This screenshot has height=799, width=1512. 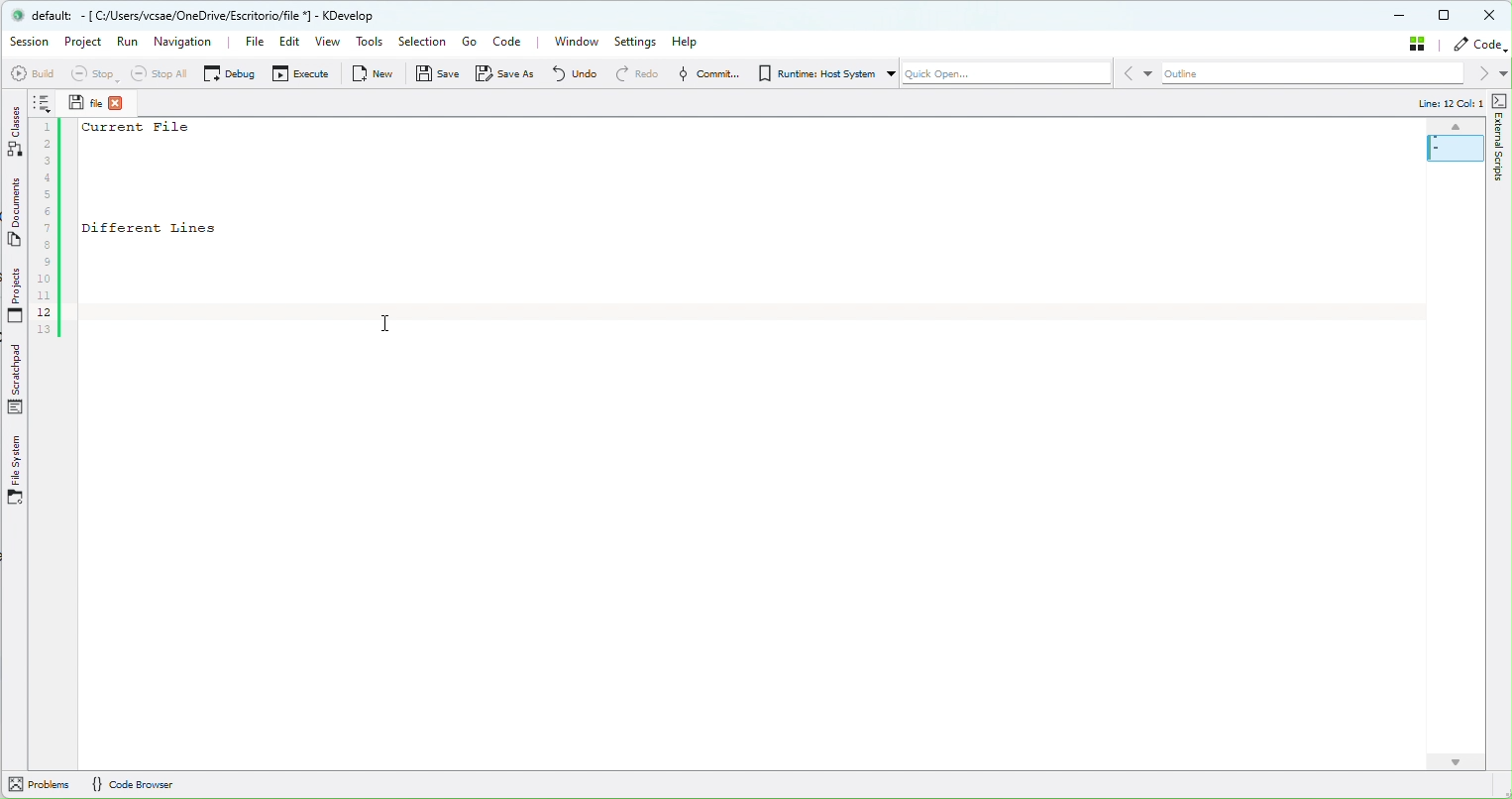 I want to click on Code, so click(x=1479, y=44).